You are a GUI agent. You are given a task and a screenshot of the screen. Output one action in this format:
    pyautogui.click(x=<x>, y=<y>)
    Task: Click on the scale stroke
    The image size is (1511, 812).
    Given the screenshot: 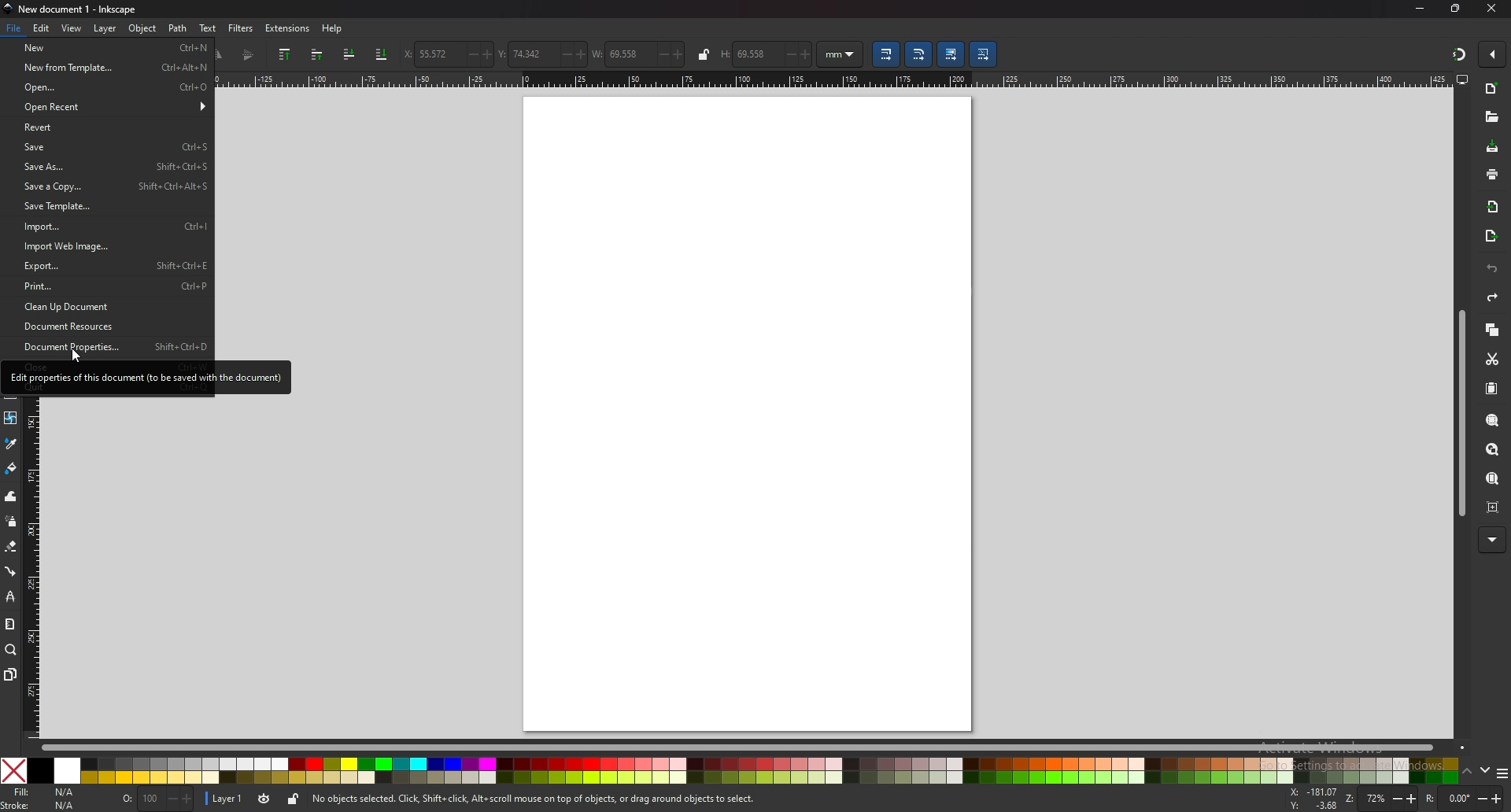 What is the action you would take?
    pyautogui.click(x=381, y=54)
    